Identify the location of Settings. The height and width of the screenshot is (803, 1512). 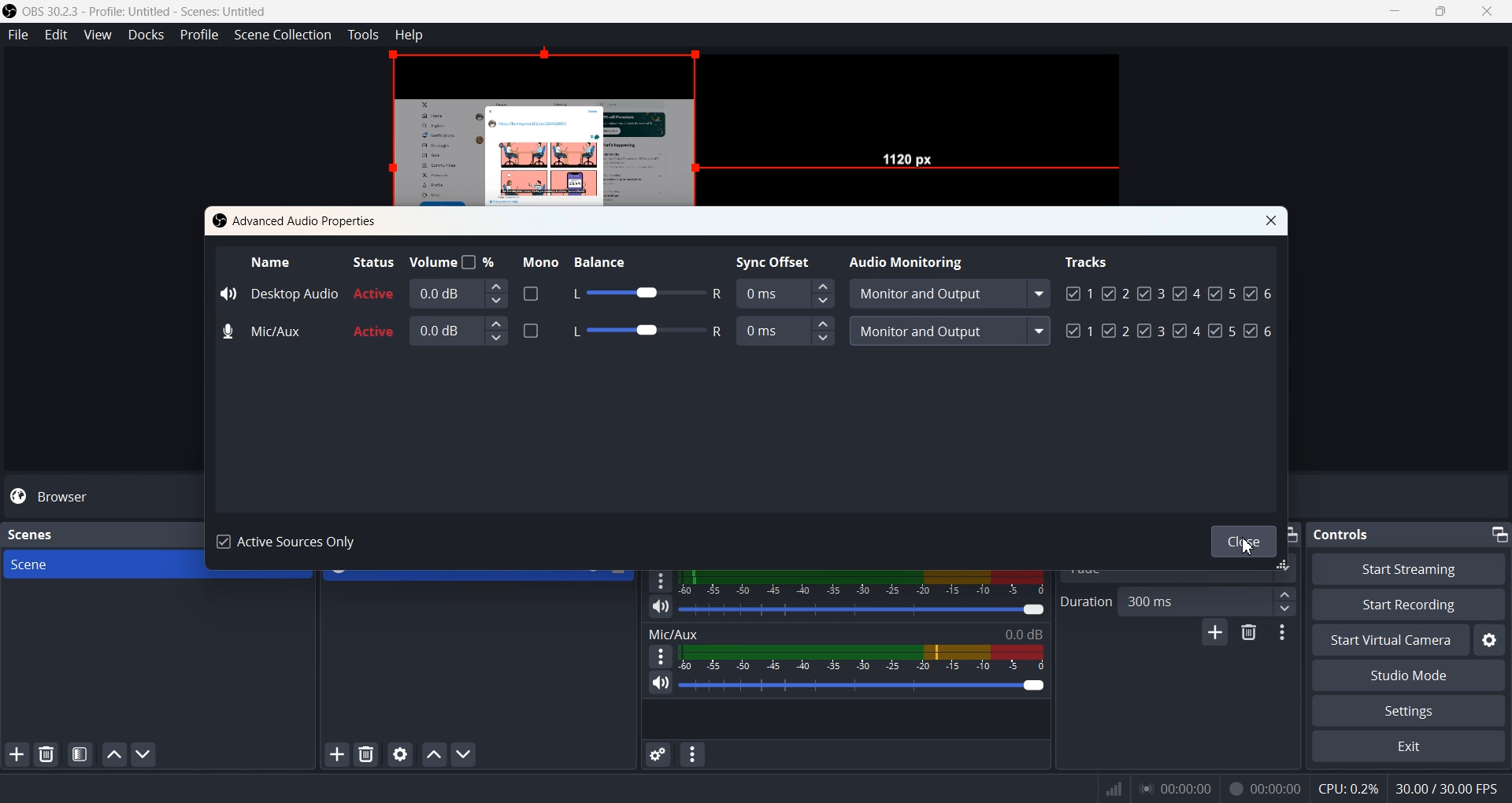
(1490, 640).